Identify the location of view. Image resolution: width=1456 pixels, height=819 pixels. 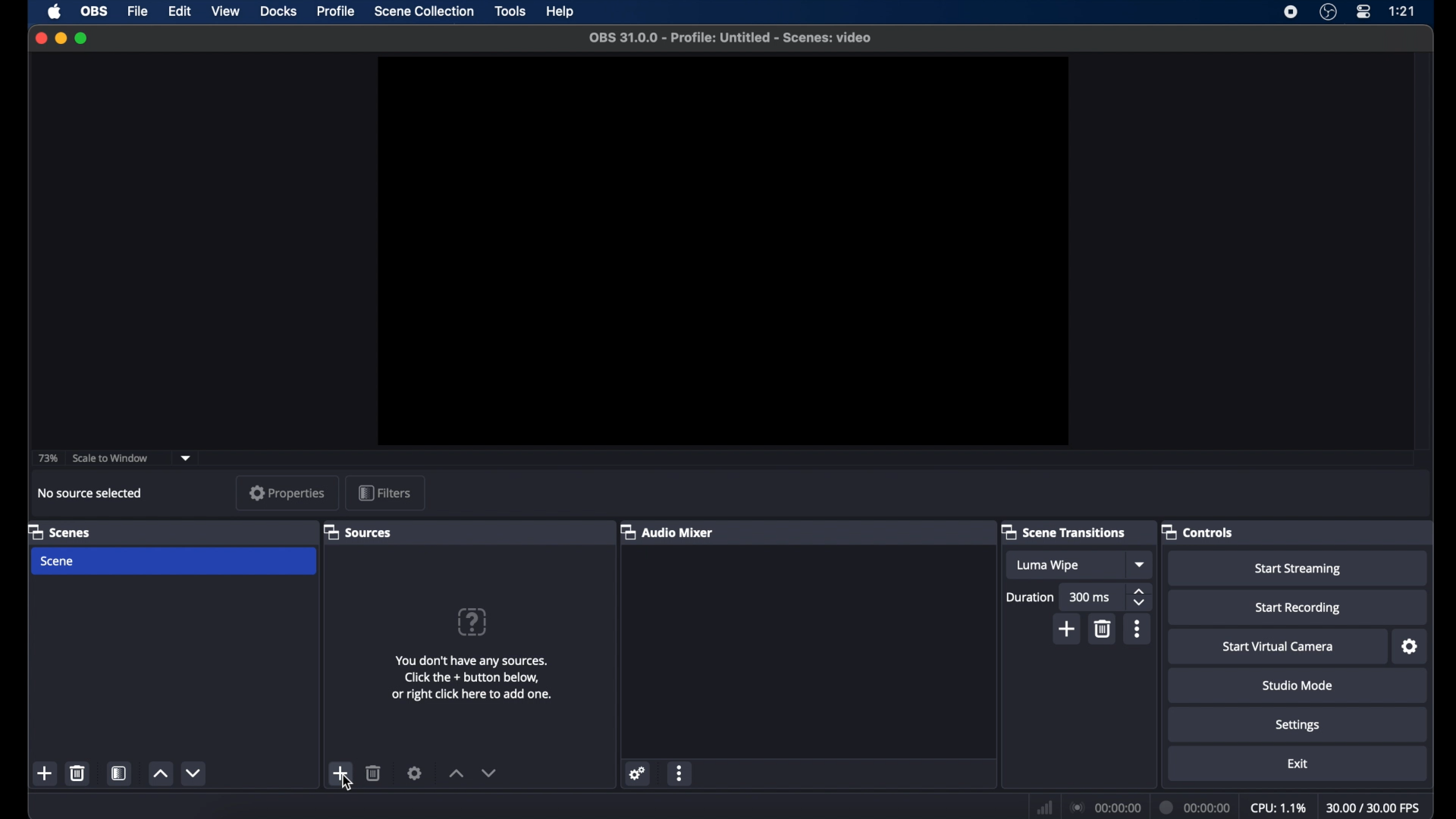
(227, 12).